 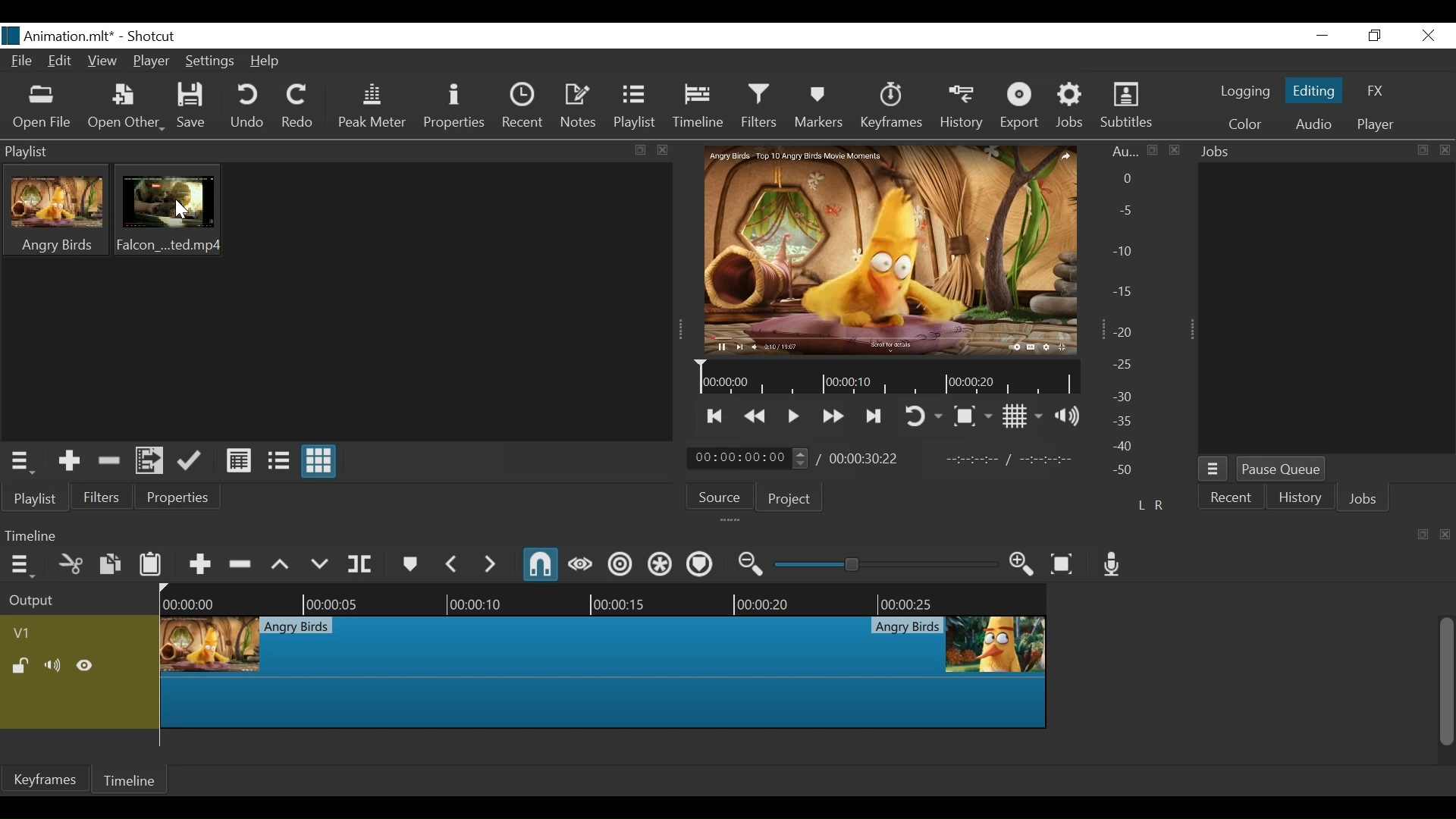 I want to click on Filters, so click(x=758, y=106).